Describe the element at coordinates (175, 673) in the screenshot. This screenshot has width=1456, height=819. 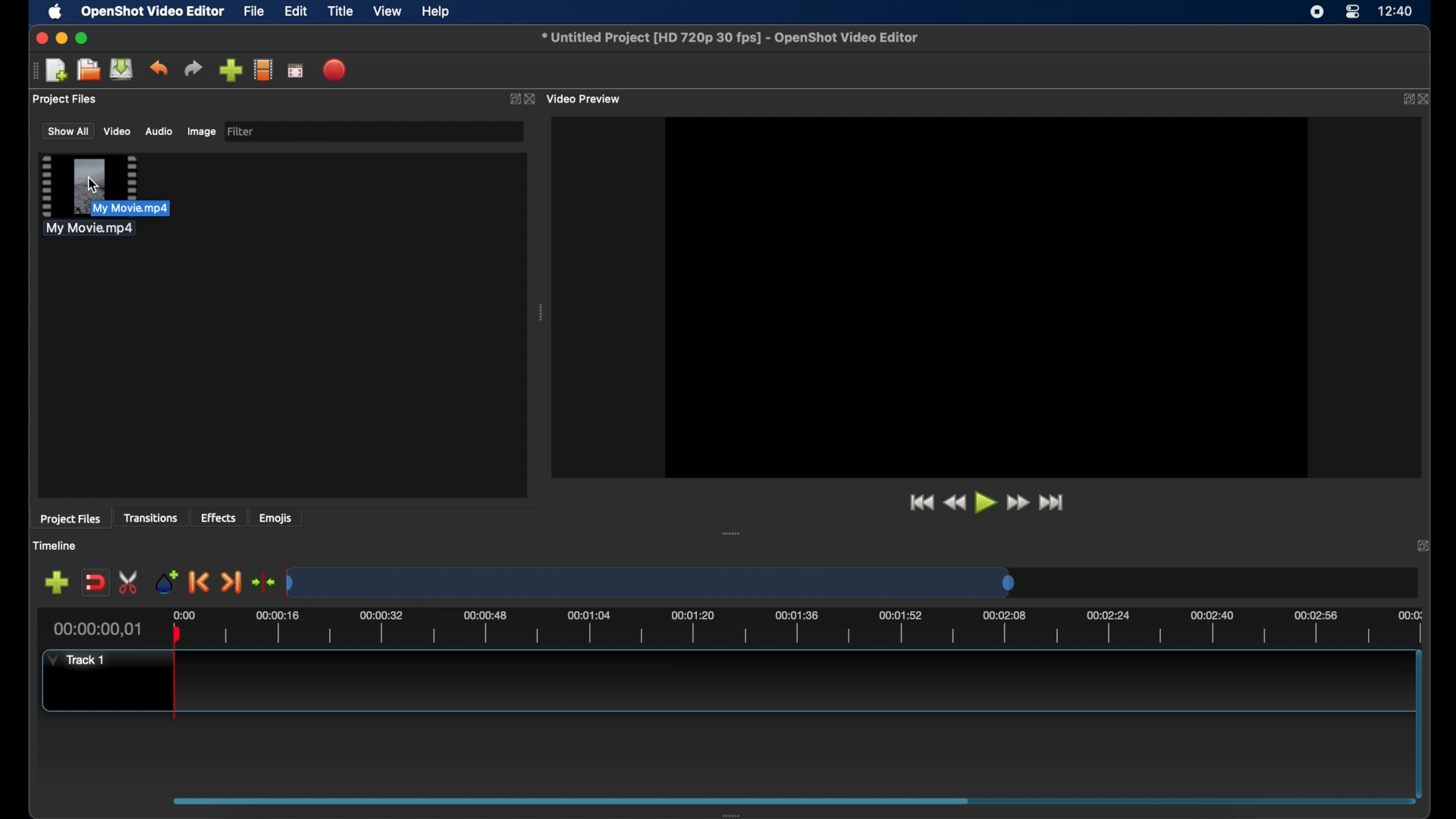
I see `playhead` at that location.